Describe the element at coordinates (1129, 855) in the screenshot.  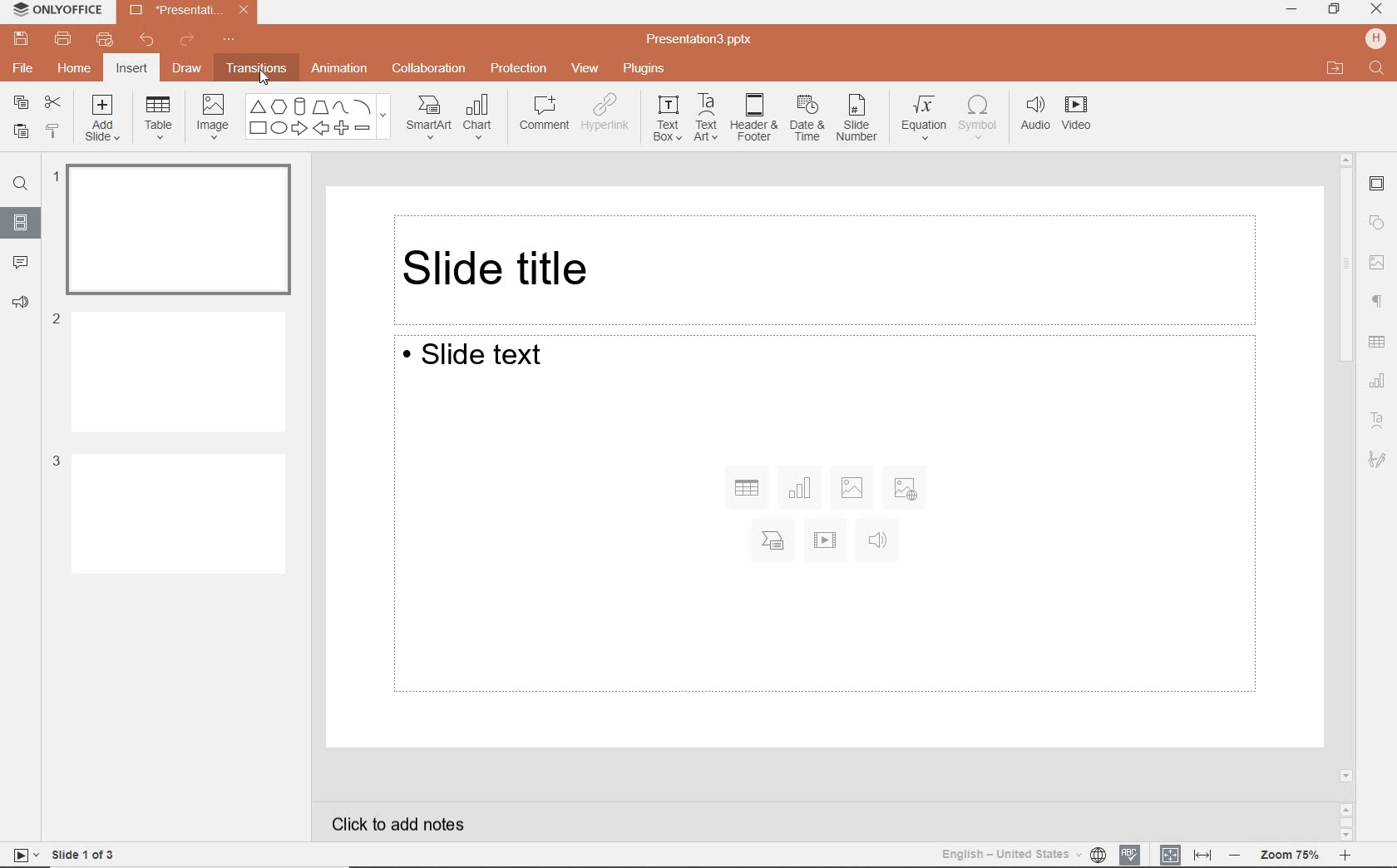
I see `spell checking` at that location.